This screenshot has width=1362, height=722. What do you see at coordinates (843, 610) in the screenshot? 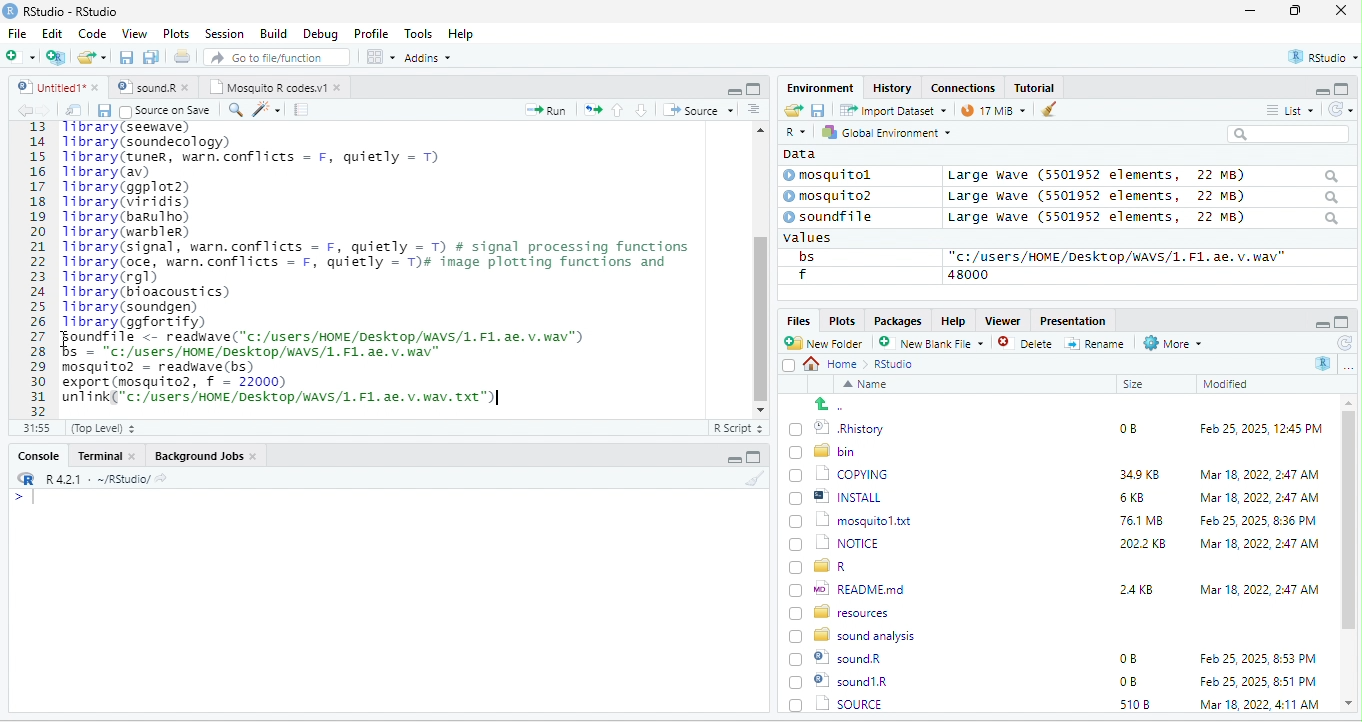
I see `BD resources` at bounding box center [843, 610].